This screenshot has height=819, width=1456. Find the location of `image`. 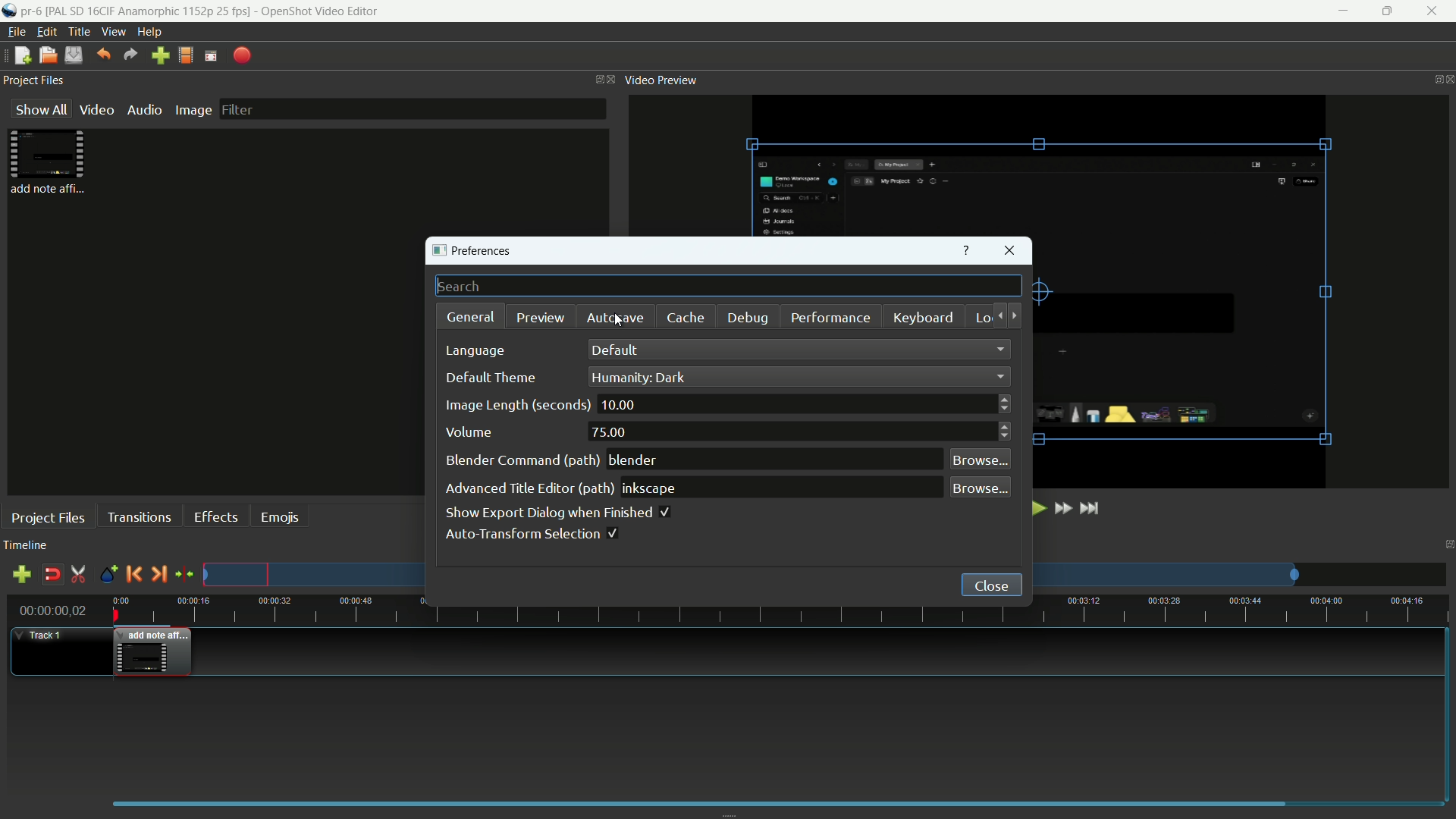

image is located at coordinates (193, 110).